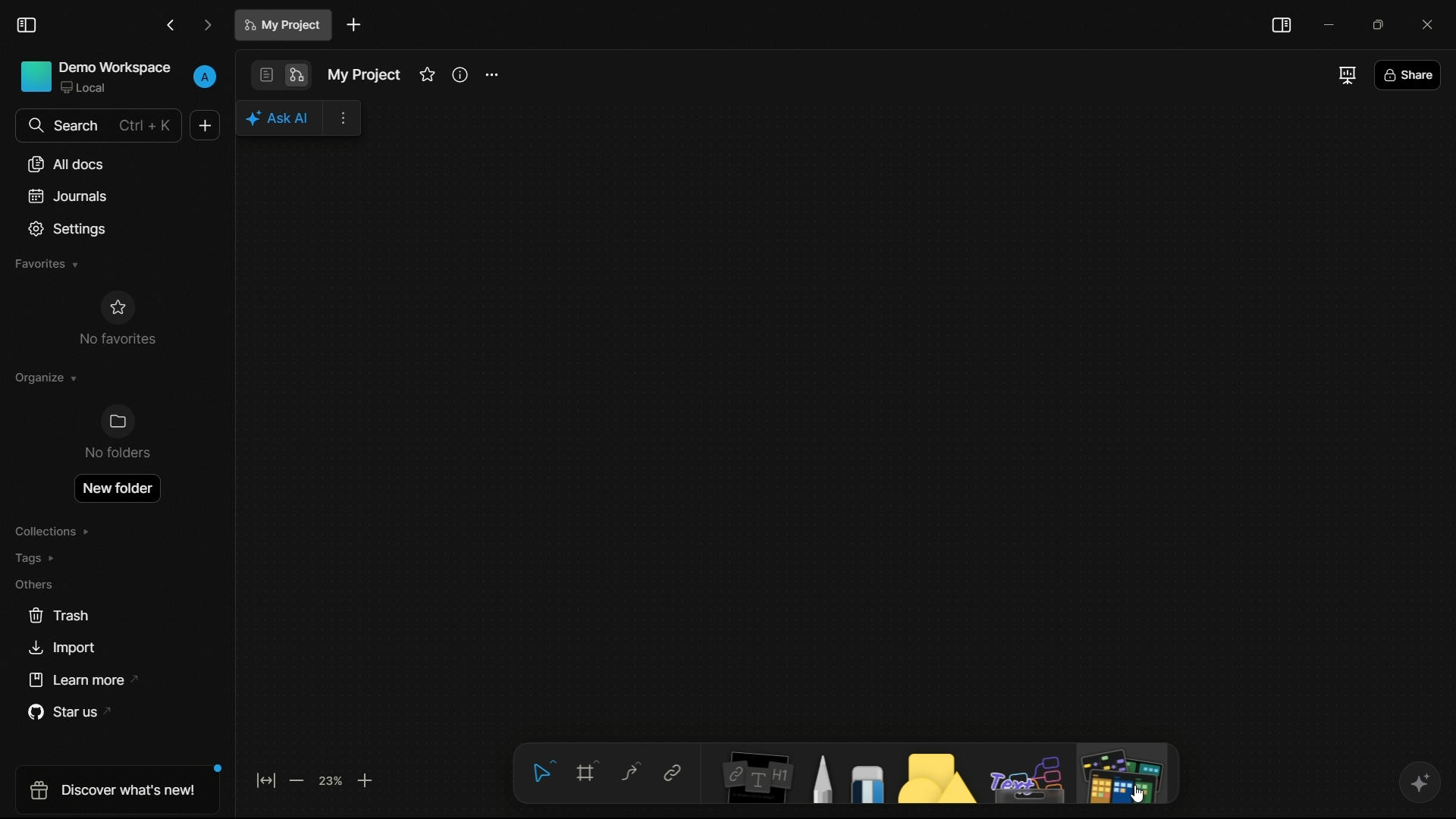 This screenshot has width=1456, height=819. Describe the element at coordinates (285, 25) in the screenshot. I see `document name` at that location.